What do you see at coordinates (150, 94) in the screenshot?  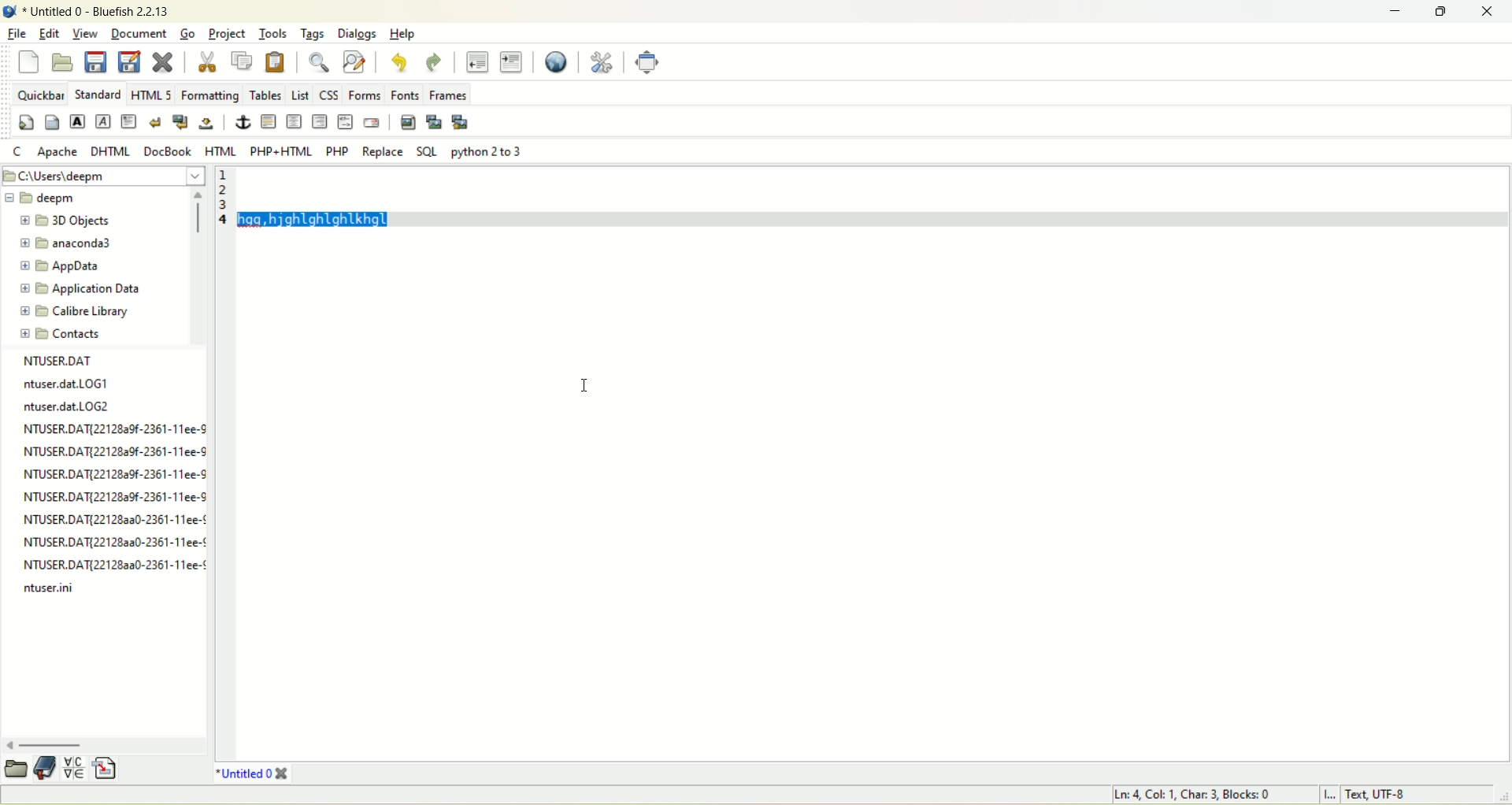 I see `HTML5` at bounding box center [150, 94].